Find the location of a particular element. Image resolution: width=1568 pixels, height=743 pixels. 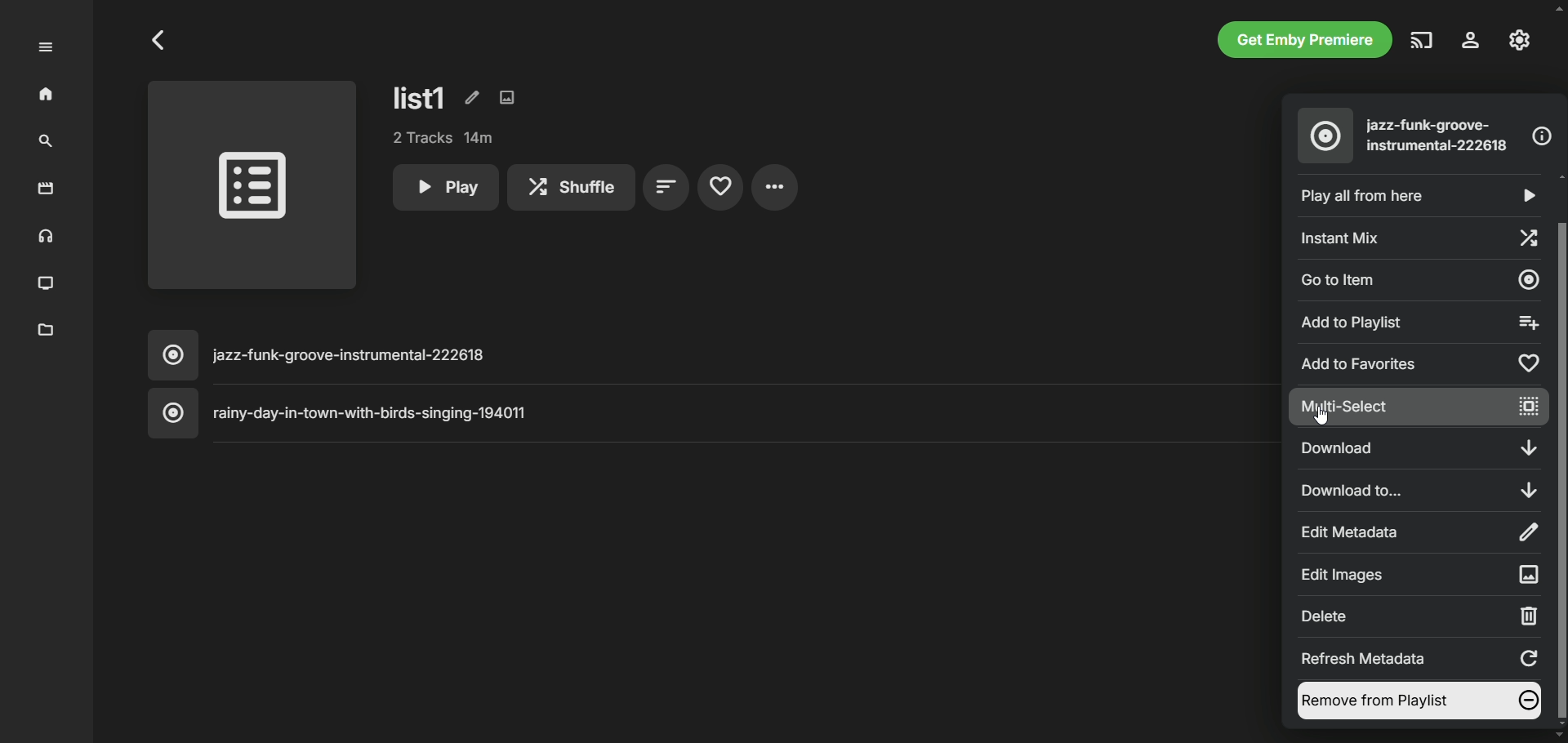

favorites is located at coordinates (719, 188).